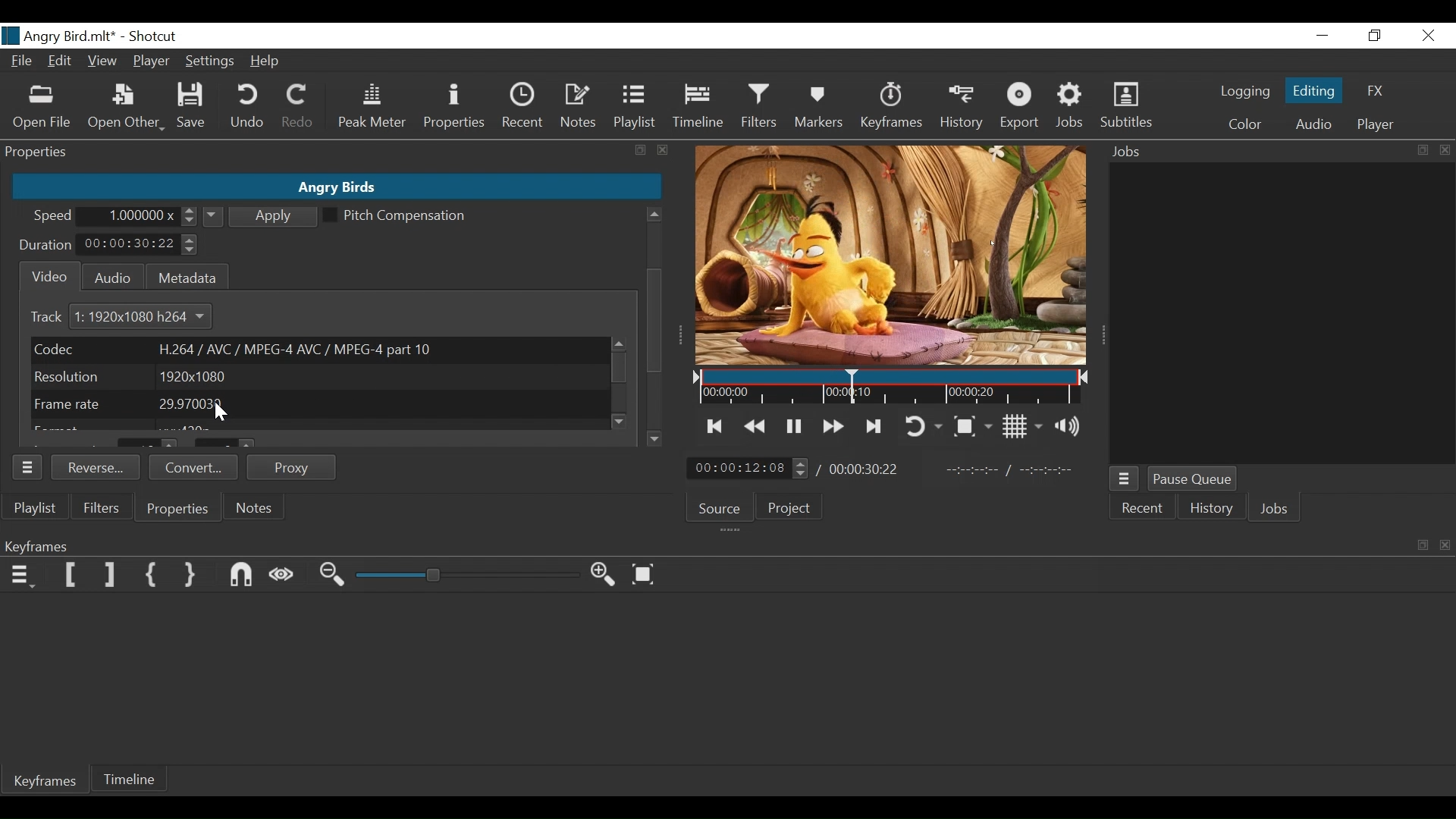 This screenshot has height=819, width=1456. Describe the element at coordinates (645, 574) in the screenshot. I see `Zoom keyframe to fit` at that location.